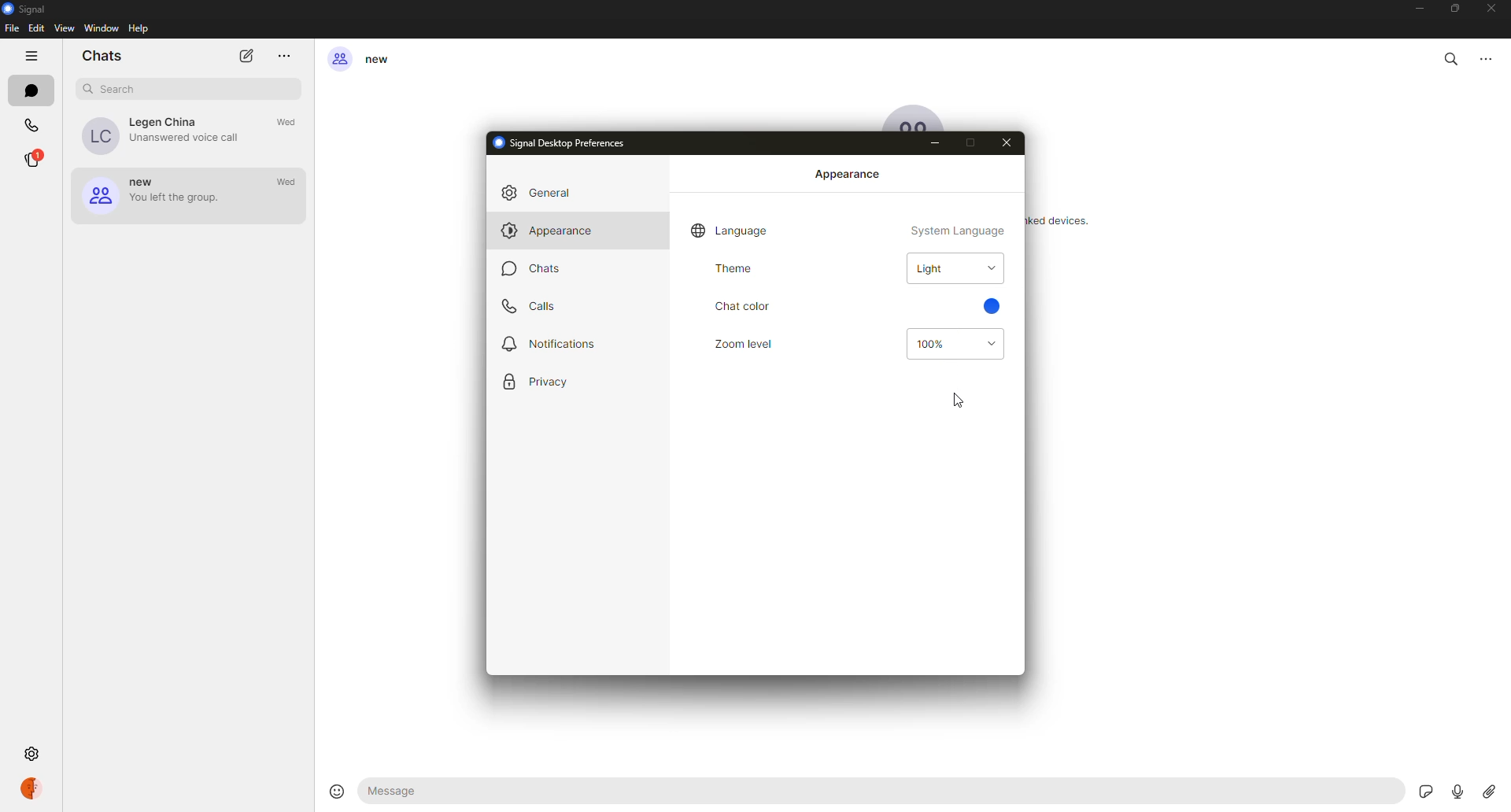 The height and width of the screenshot is (812, 1511). Describe the element at coordinates (551, 345) in the screenshot. I see `notifications` at that location.